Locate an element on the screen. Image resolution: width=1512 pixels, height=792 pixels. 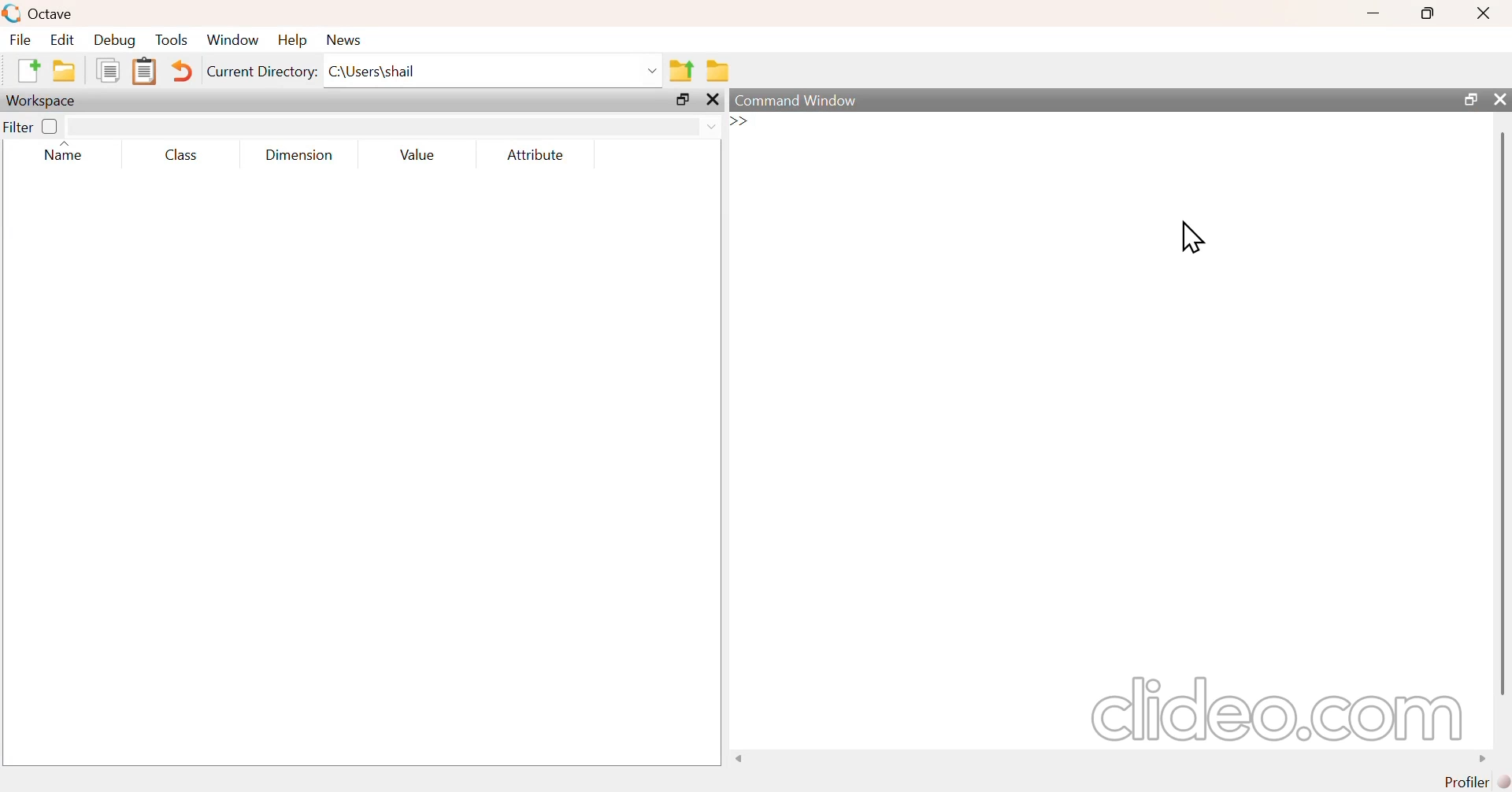
attribute is located at coordinates (535, 154).